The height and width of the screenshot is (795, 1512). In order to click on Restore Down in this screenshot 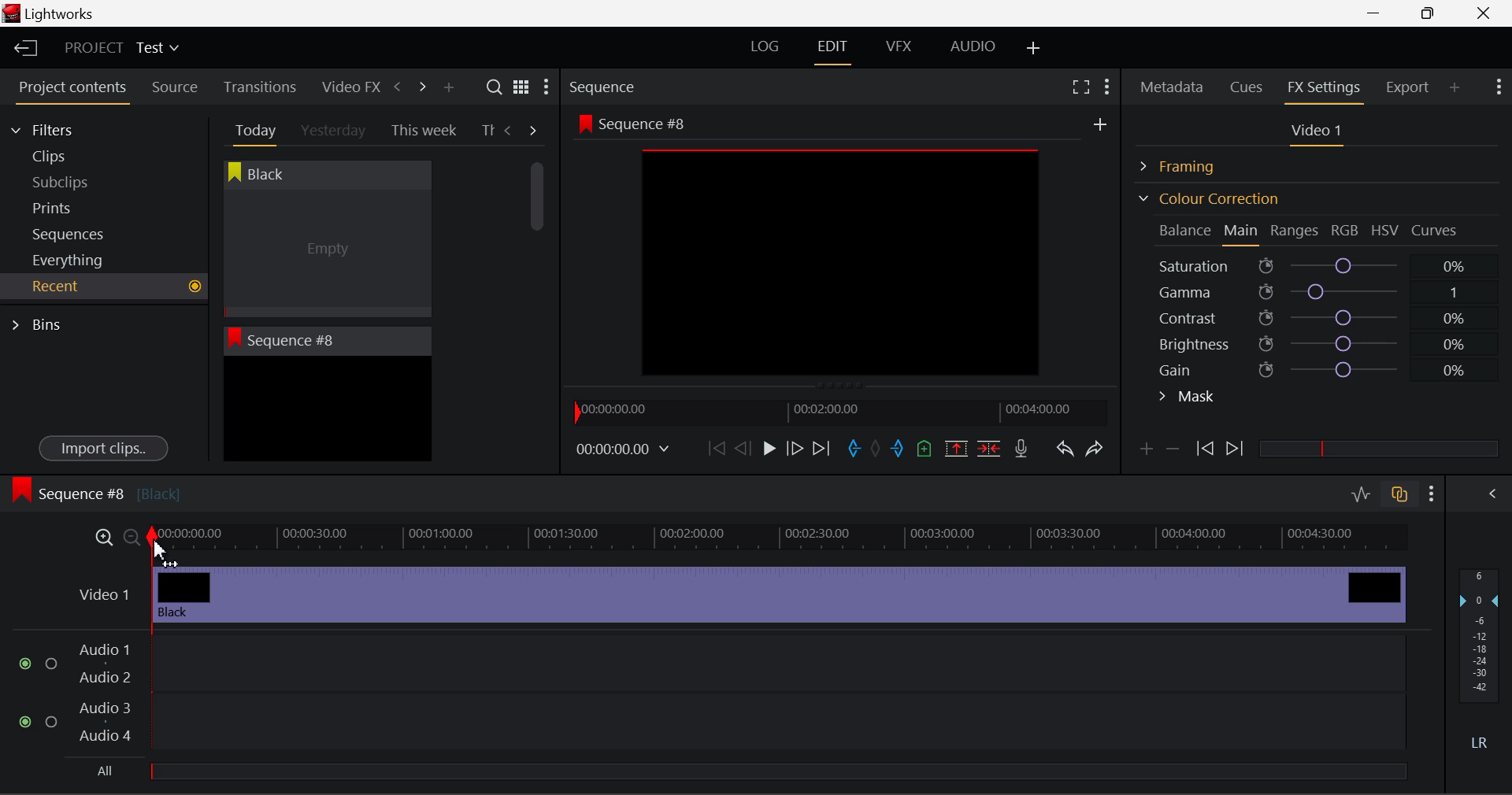, I will do `click(1379, 13)`.